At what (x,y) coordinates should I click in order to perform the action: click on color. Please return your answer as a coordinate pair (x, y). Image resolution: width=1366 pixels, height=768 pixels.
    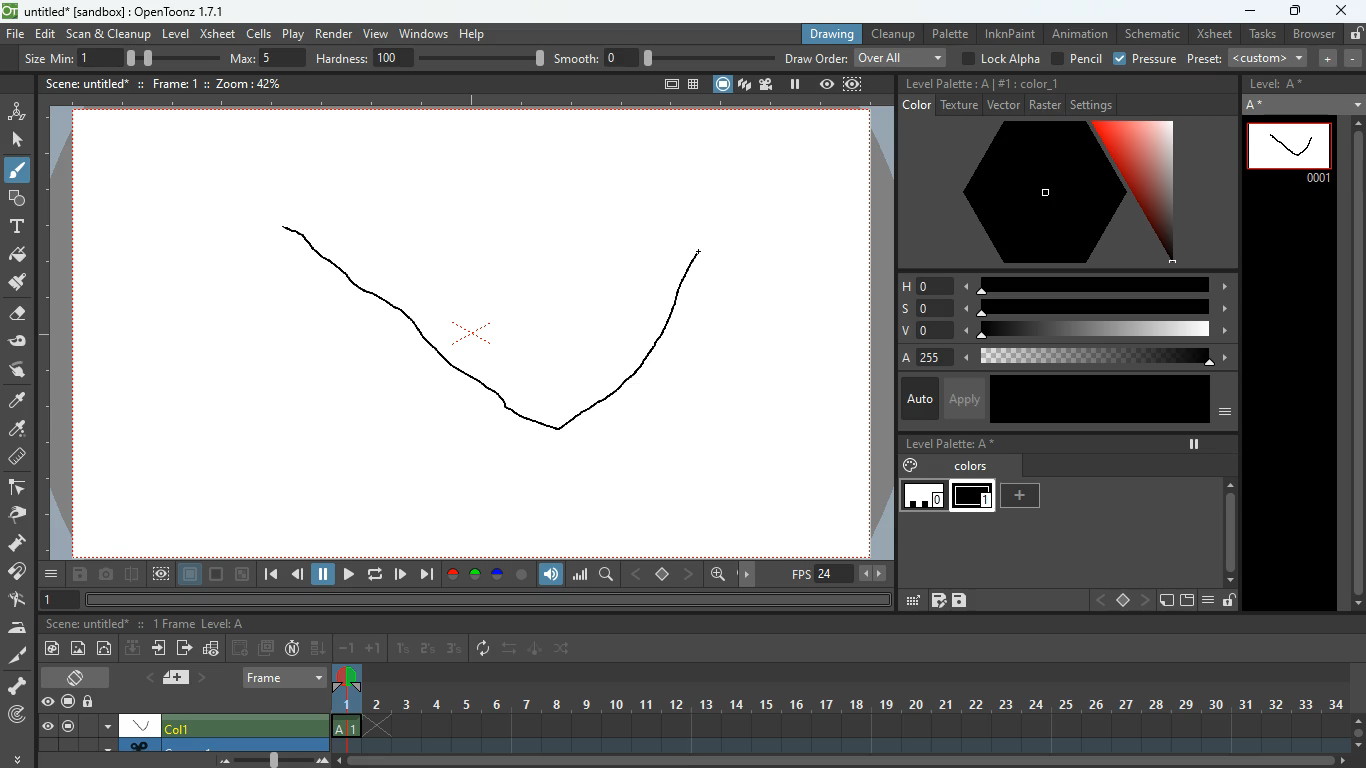
    Looking at the image, I should click on (218, 575).